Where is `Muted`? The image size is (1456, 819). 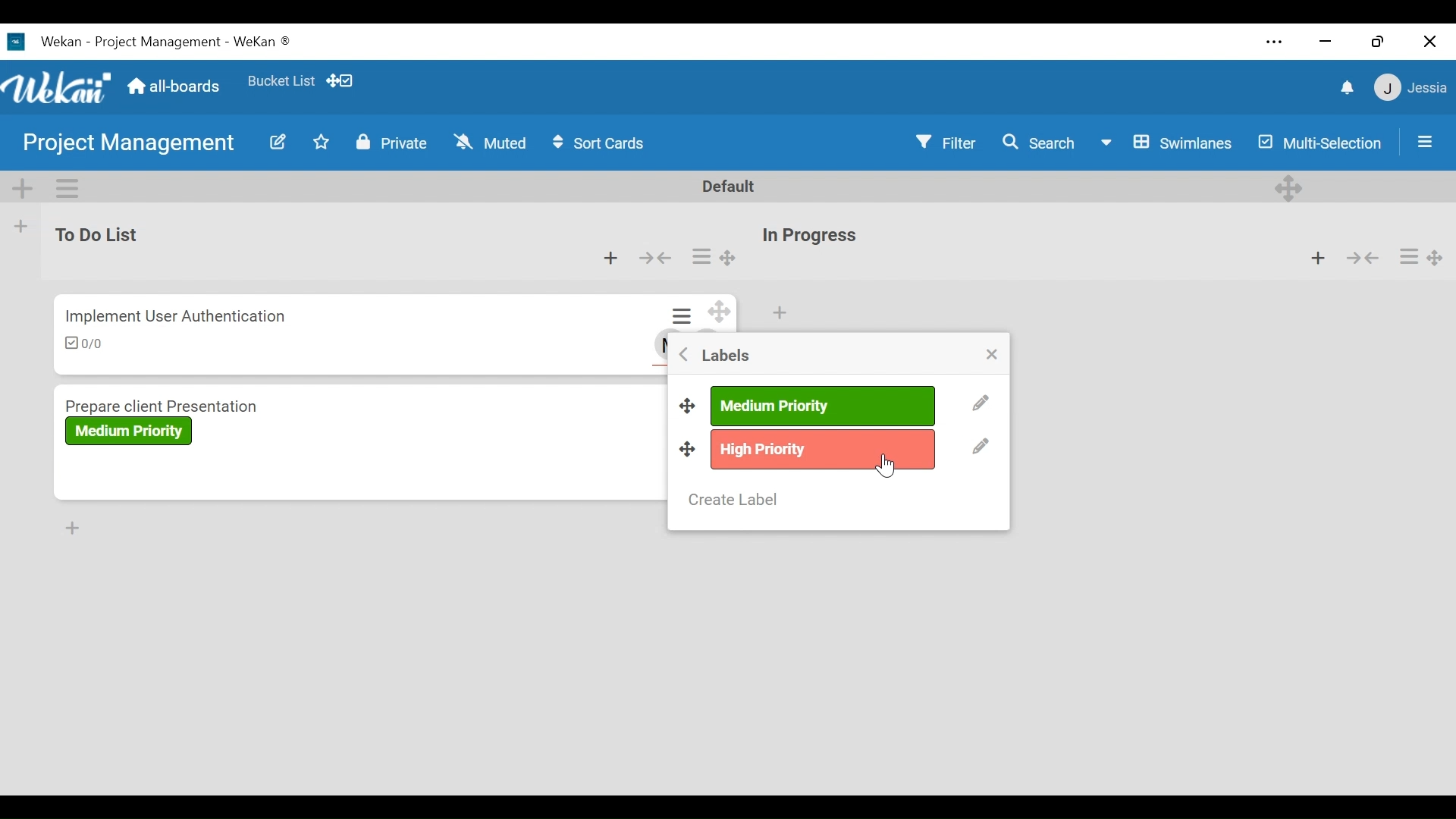
Muted is located at coordinates (490, 142).